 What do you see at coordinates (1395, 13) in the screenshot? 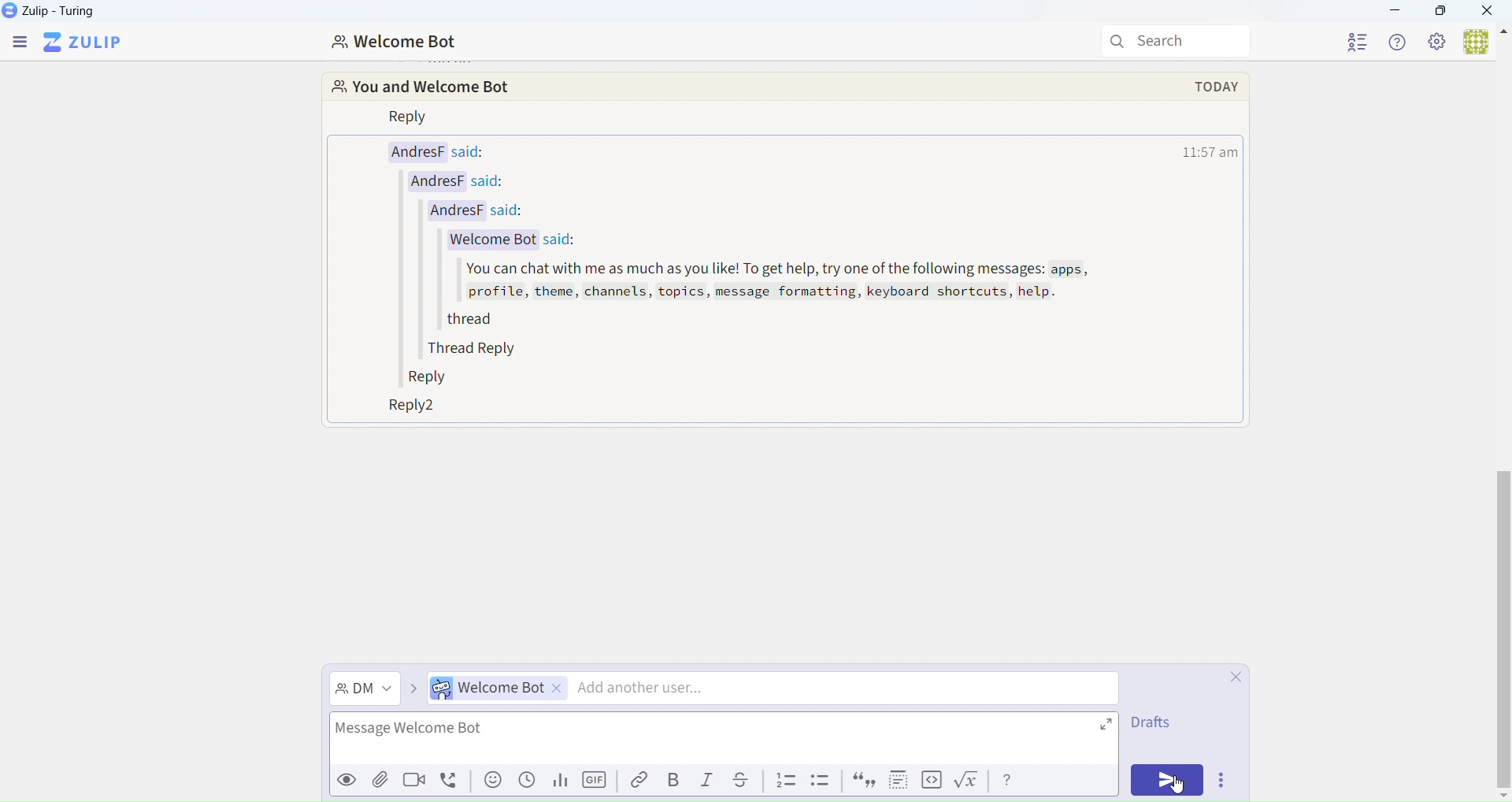
I see `` at bounding box center [1395, 13].